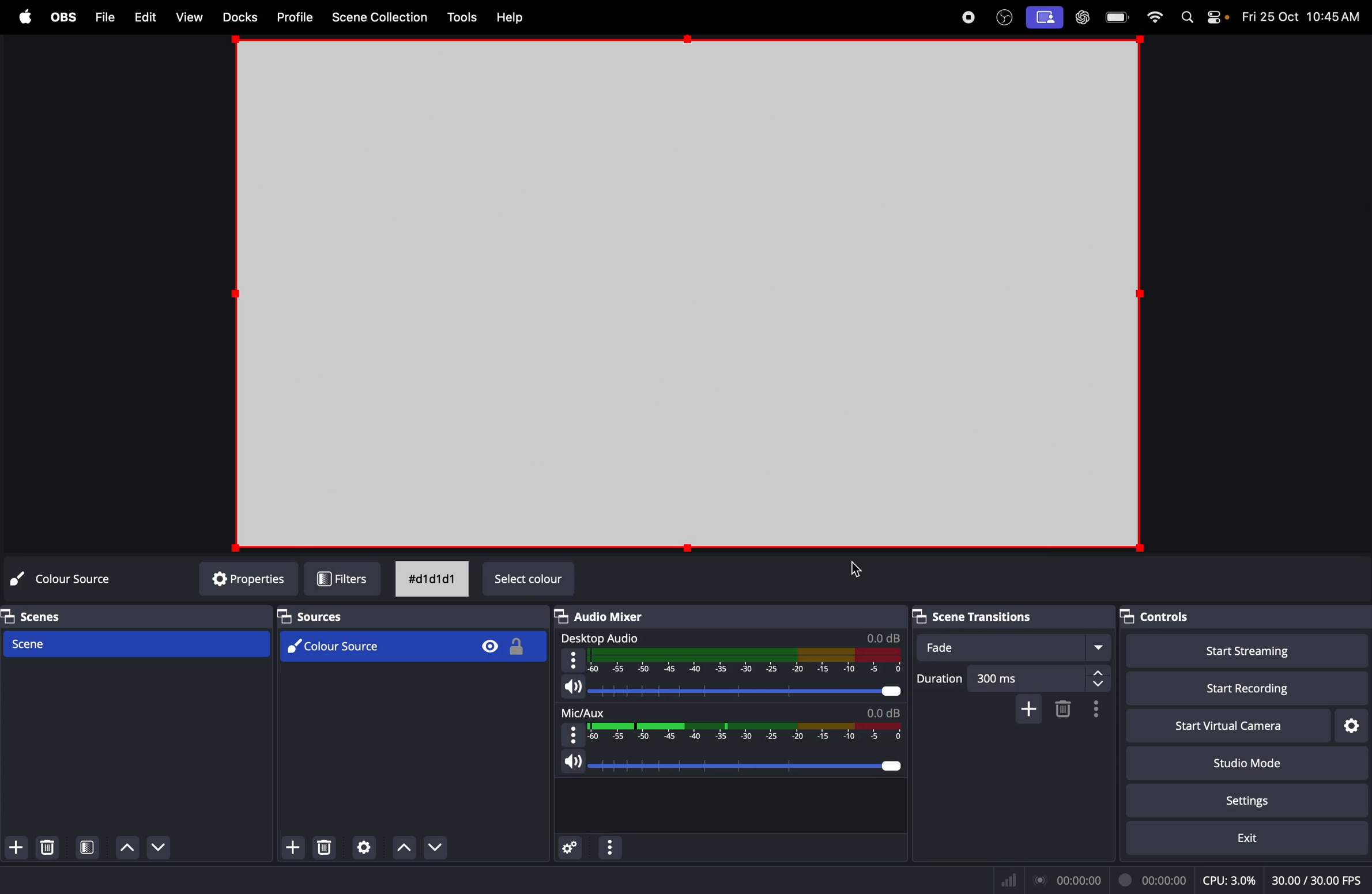  I want to click on start recording, so click(1234, 686).